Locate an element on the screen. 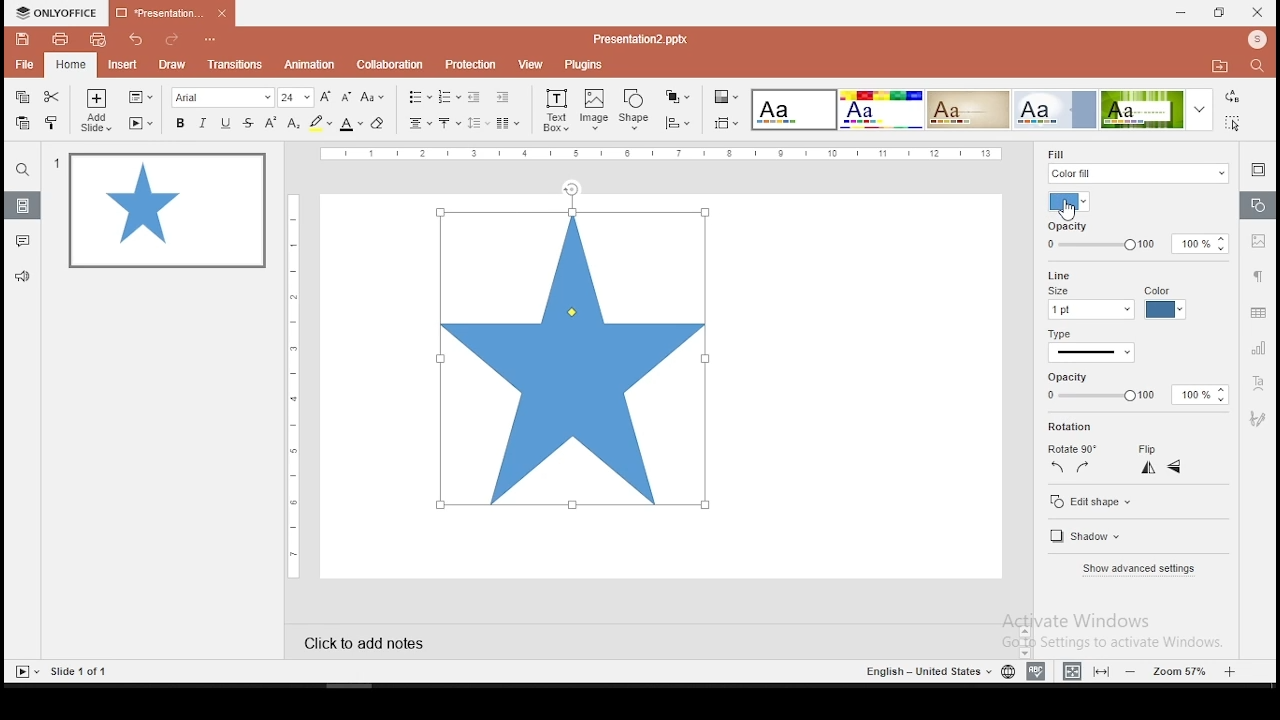 The image size is (1280, 720). redo is located at coordinates (171, 41).